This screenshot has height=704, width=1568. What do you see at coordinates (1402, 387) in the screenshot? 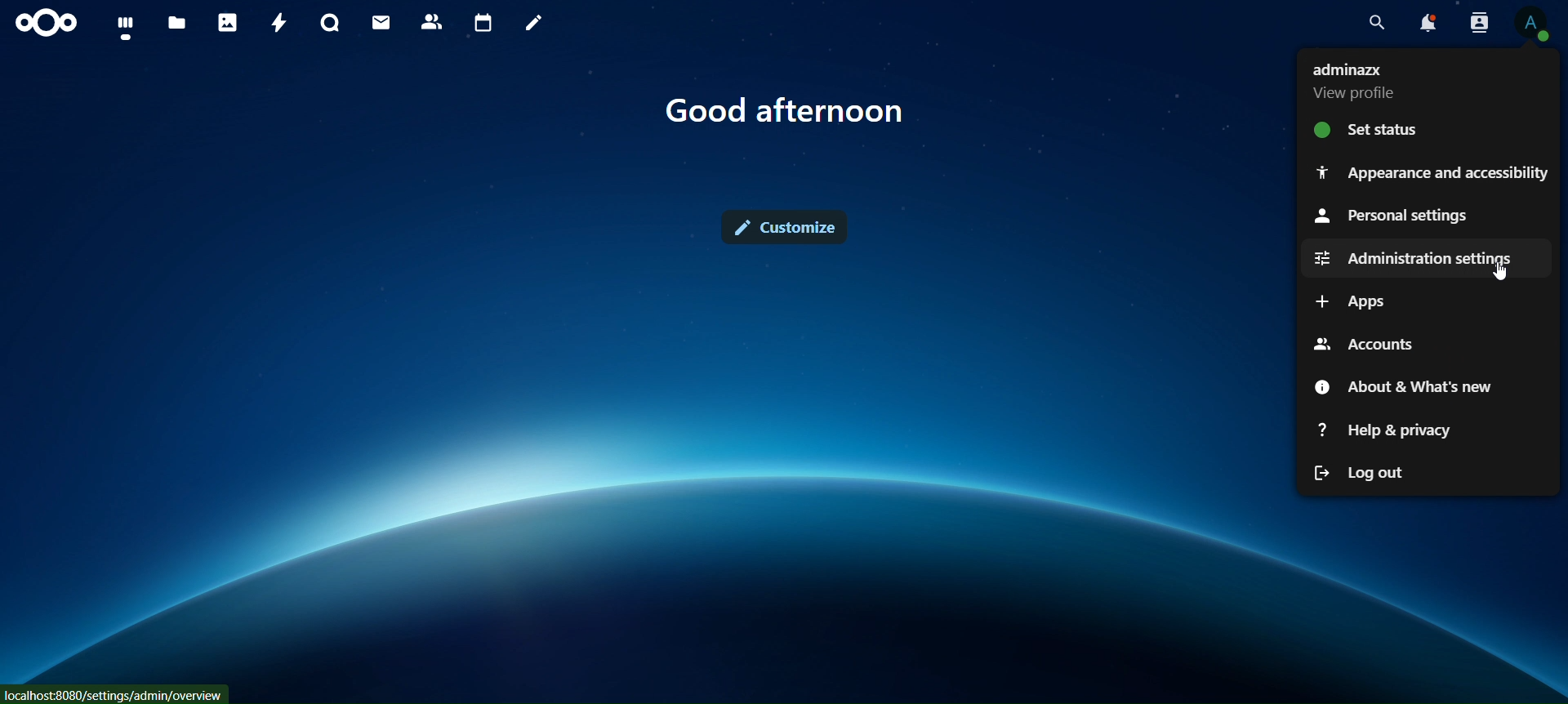
I see `about &what's new` at bounding box center [1402, 387].